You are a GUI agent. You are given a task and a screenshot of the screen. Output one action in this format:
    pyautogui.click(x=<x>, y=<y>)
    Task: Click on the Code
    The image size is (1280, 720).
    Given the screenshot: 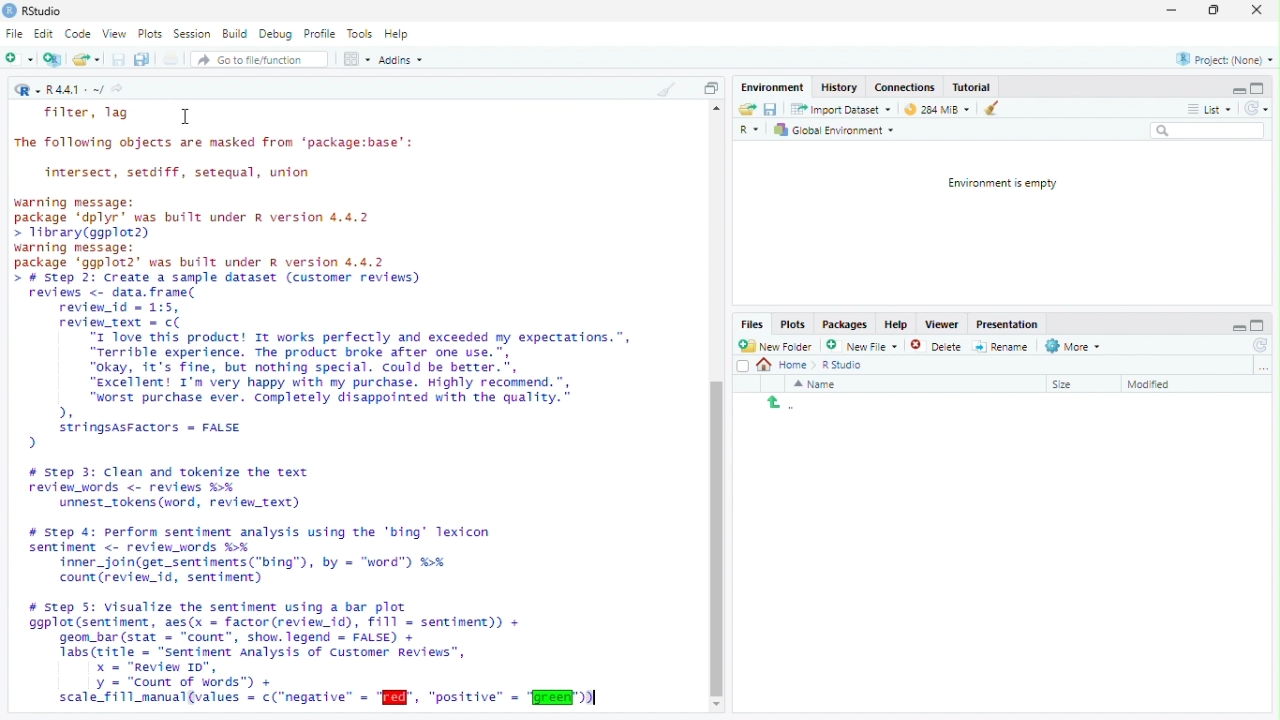 What is the action you would take?
    pyautogui.click(x=78, y=33)
    